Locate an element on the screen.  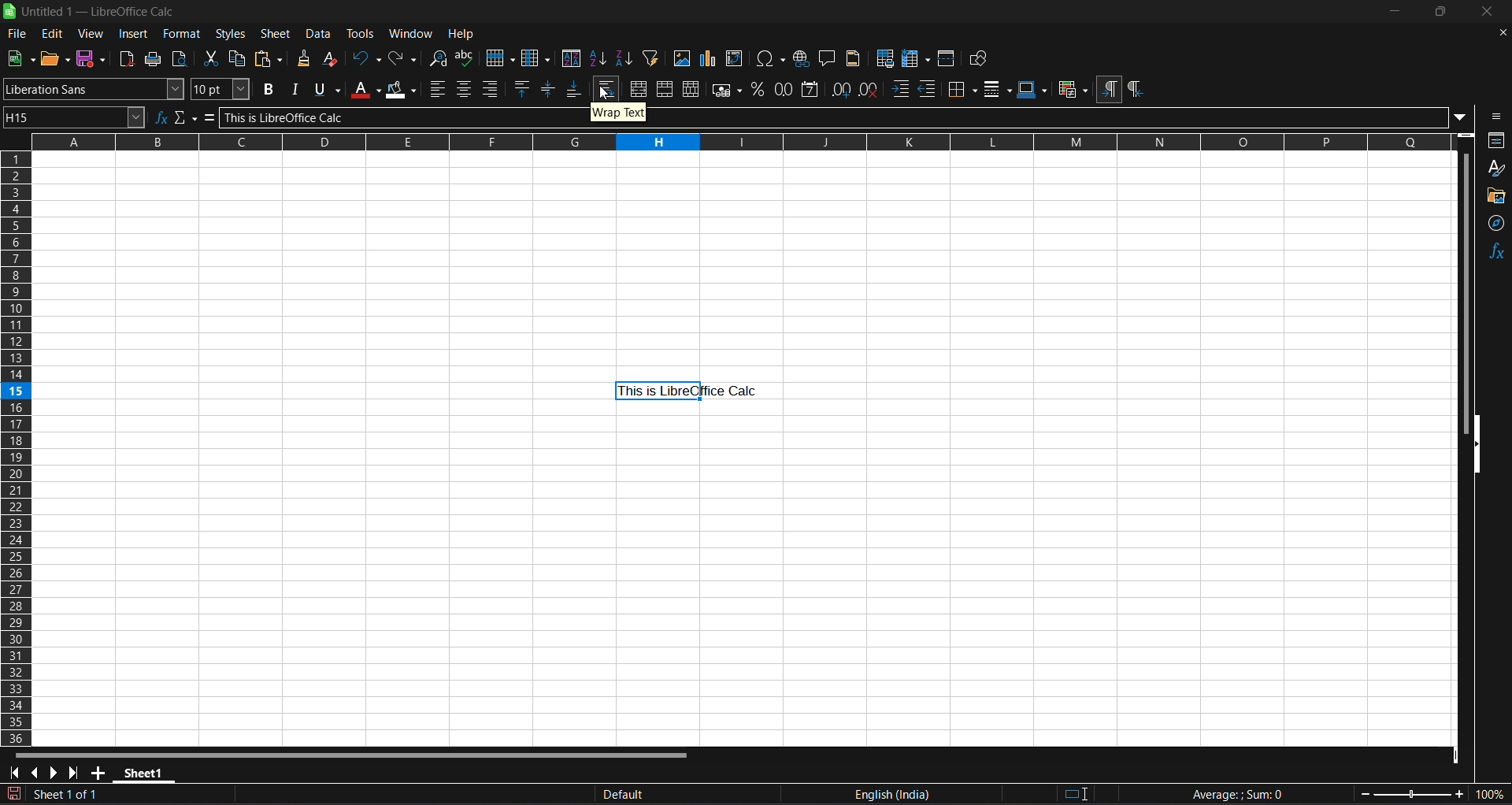
maximize is located at coordinates (1444, 13).